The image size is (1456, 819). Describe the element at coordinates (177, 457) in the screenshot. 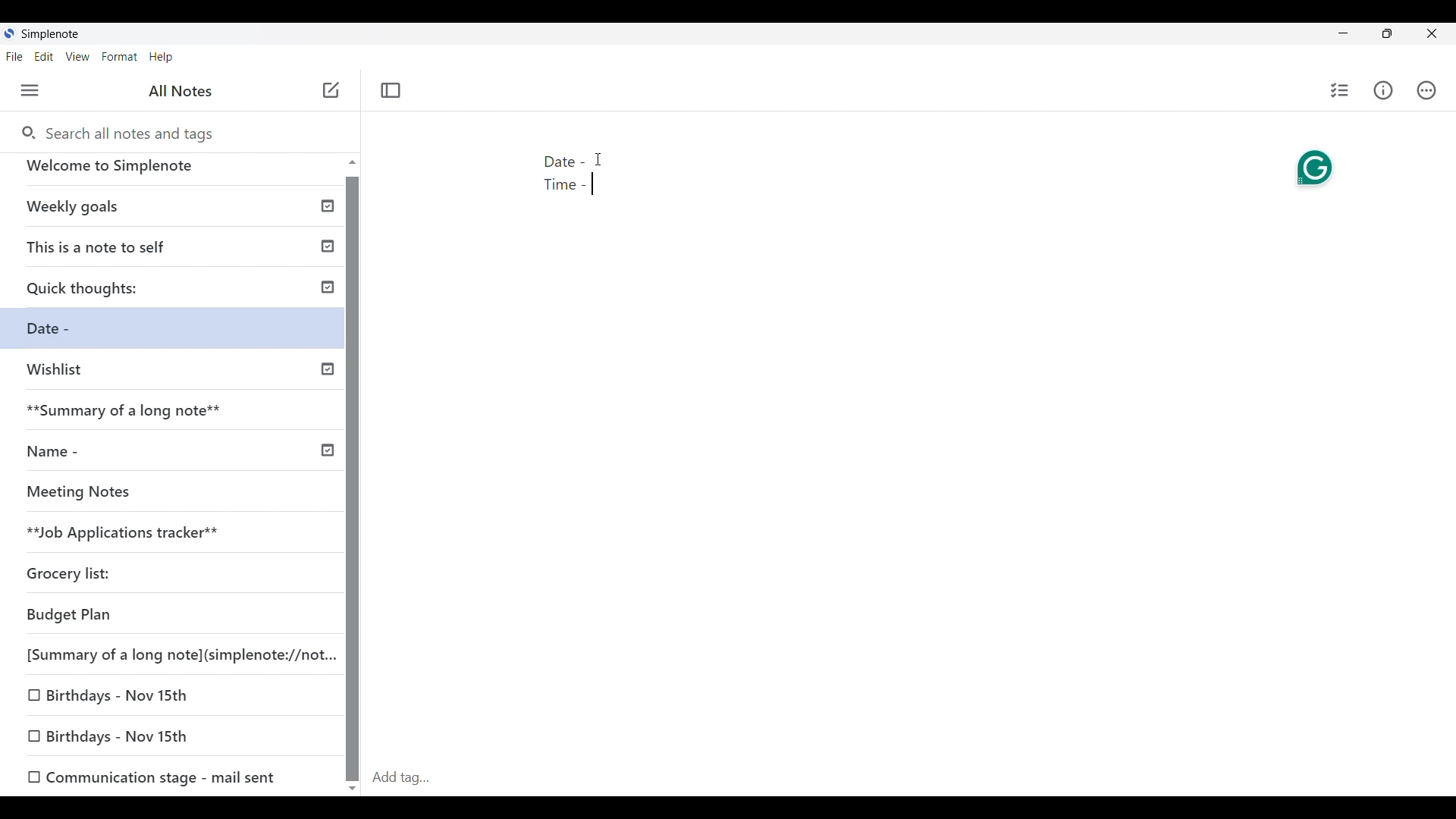

I see `Published note indicated by check icon` at that location.